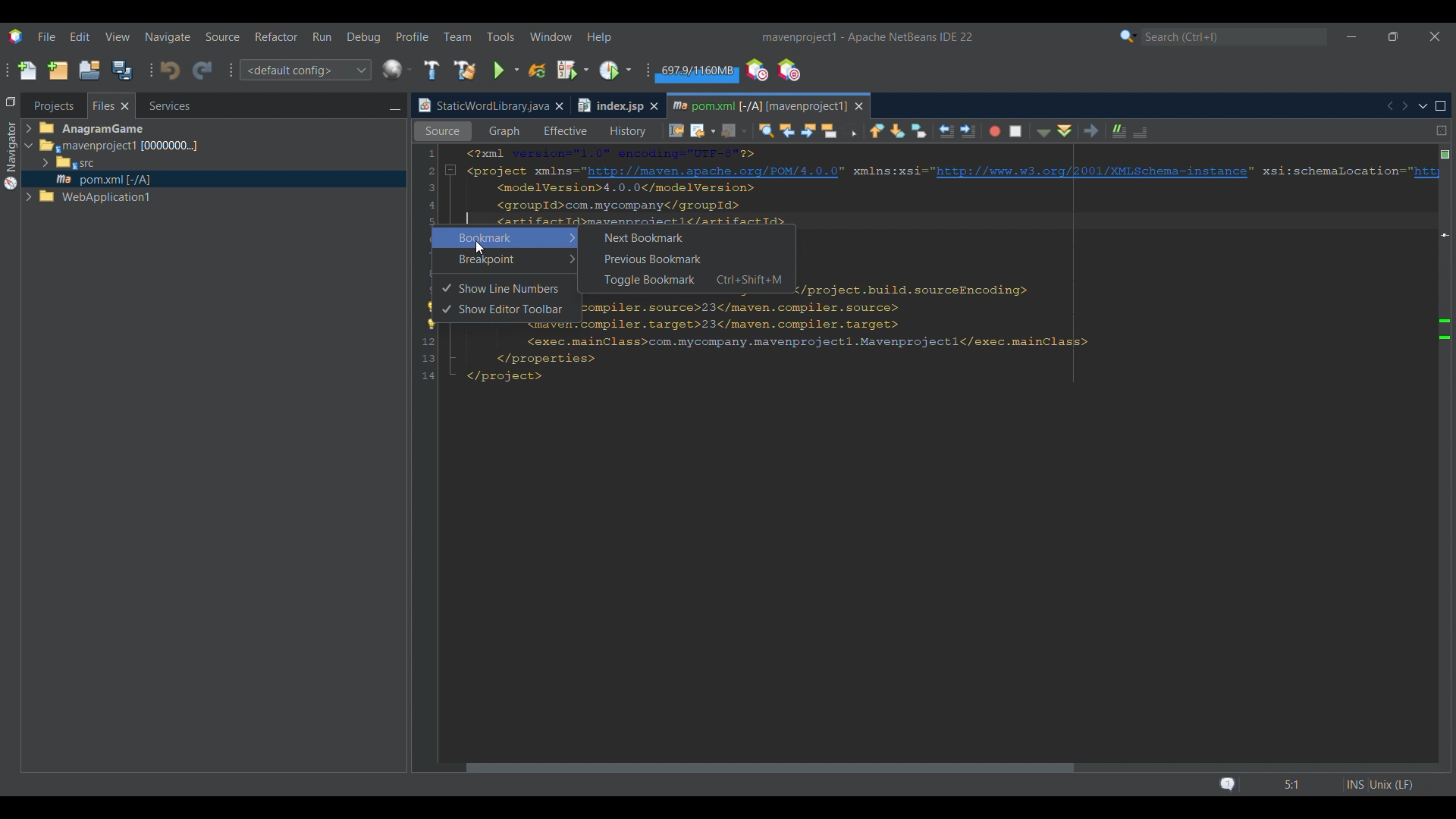 The height and width of the screenshot is (819, 1456). What do you see at coordinates (1115, 221) in the screenshot?
I see `Selected line highlighted` at bounding box center [1115, 221].